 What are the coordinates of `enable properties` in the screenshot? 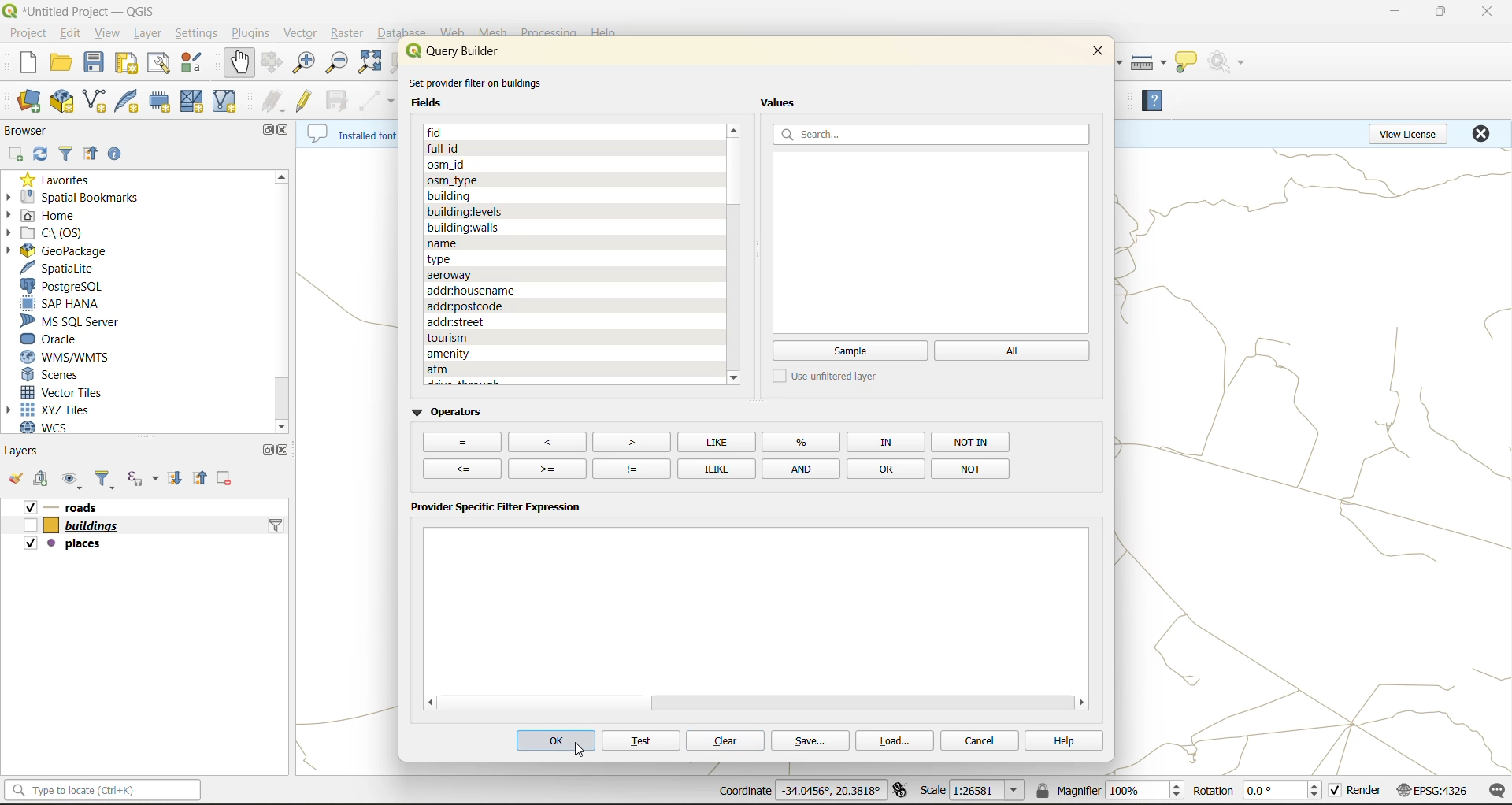 It's located at (123, 153).